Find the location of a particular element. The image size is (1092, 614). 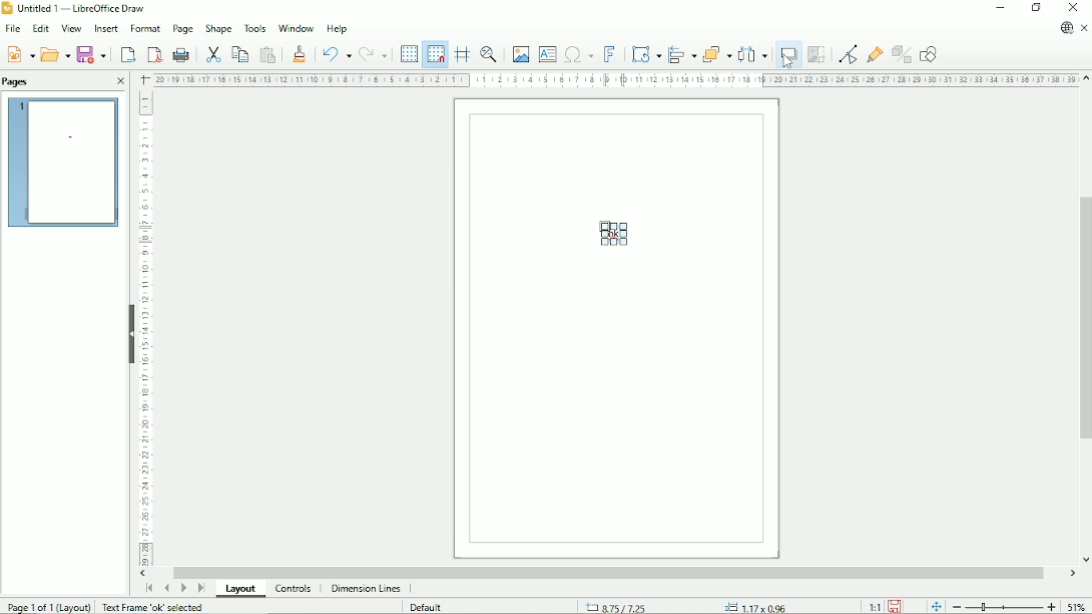

Open is located at coordinates (56, 54).